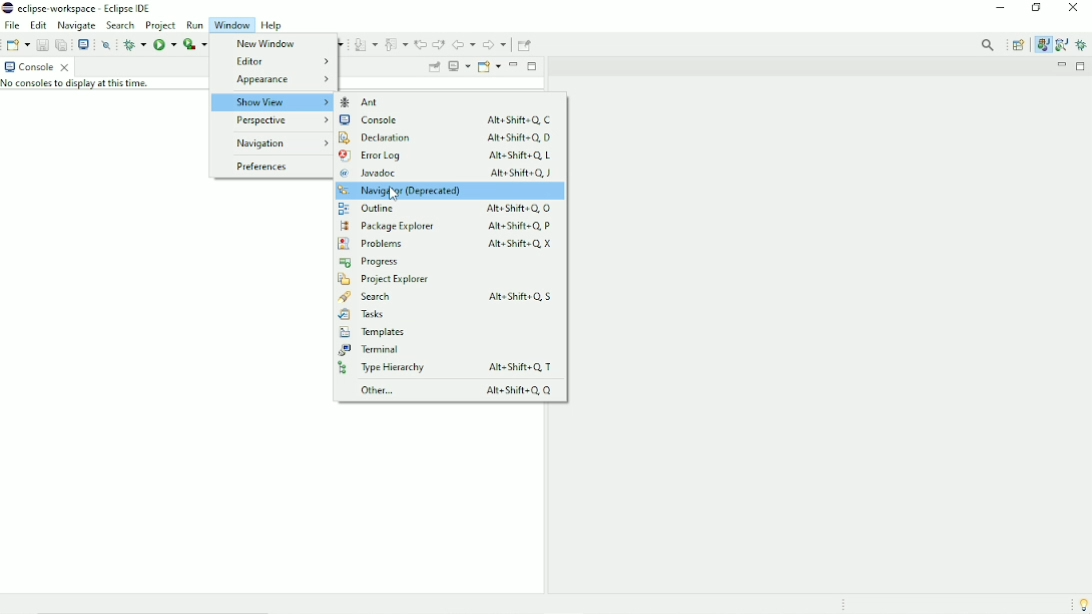 This screenshot has height=614, width=1092. What do you see at coordinates (164, 44) in the screenshot?
I see `Run` at bounding box center [164, 44].